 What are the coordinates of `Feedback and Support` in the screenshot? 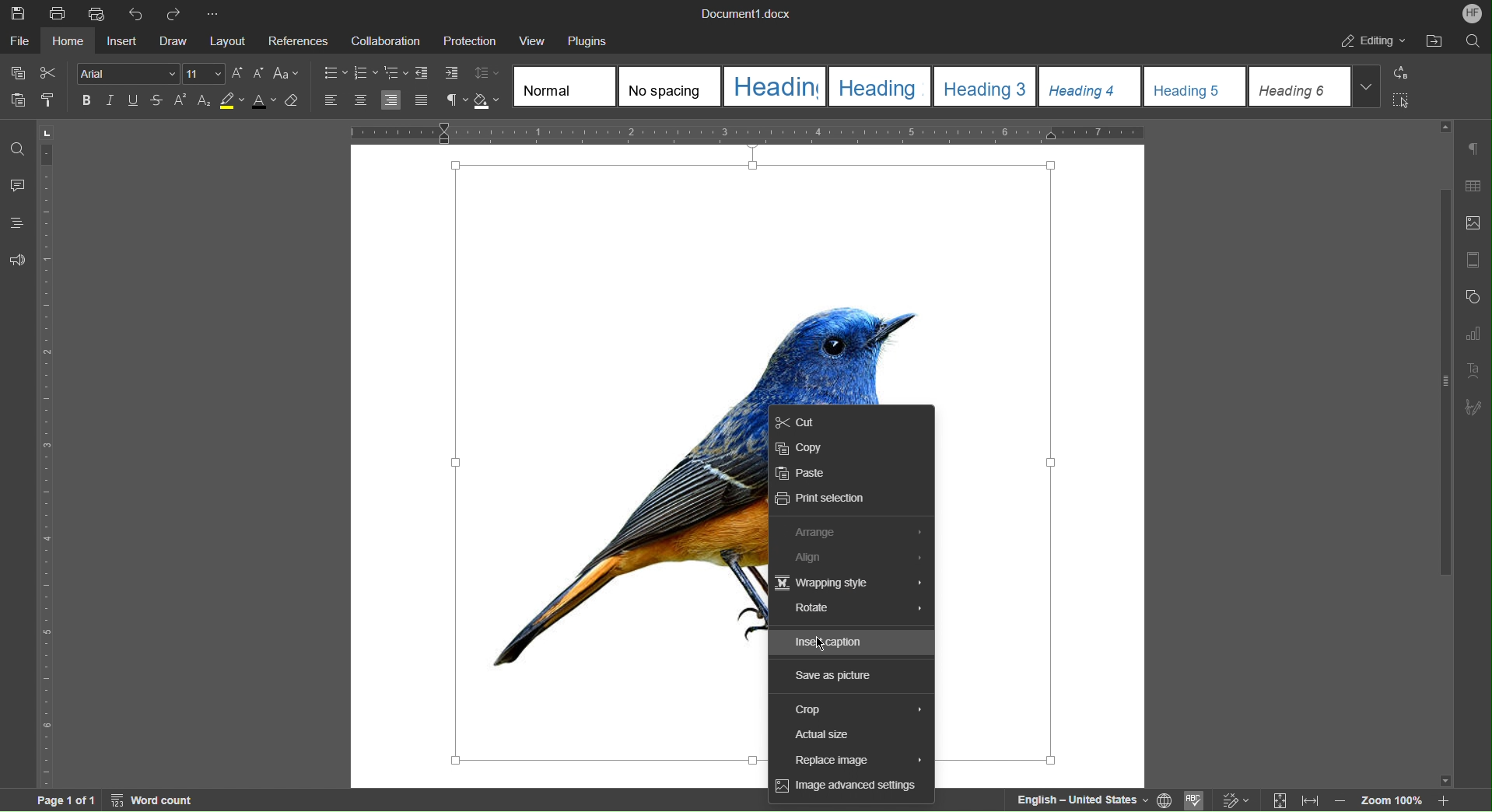 It's located at (17, 259).